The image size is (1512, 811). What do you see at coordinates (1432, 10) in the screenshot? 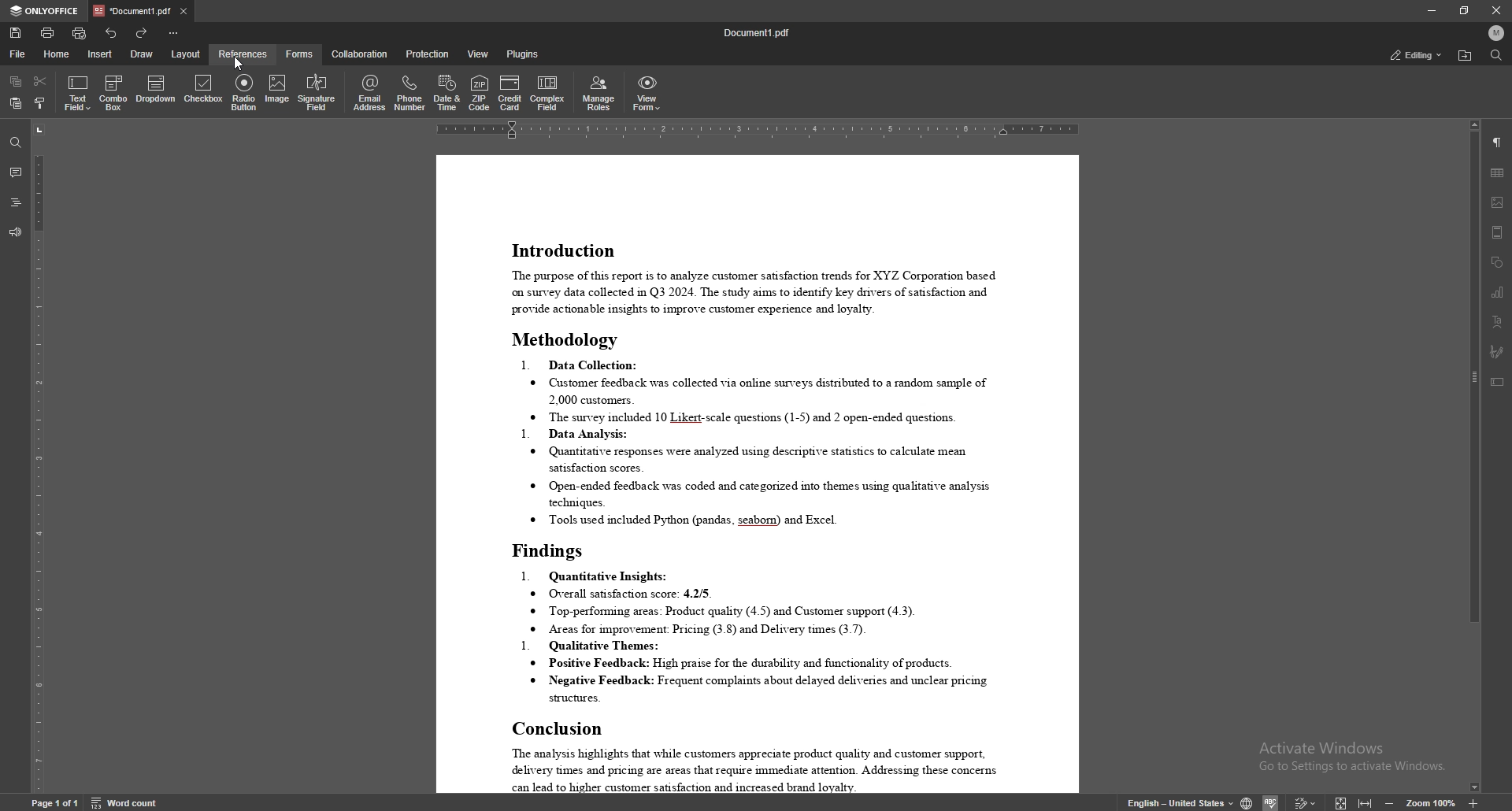
I see `minimize` at bounding box center [1432, 10].